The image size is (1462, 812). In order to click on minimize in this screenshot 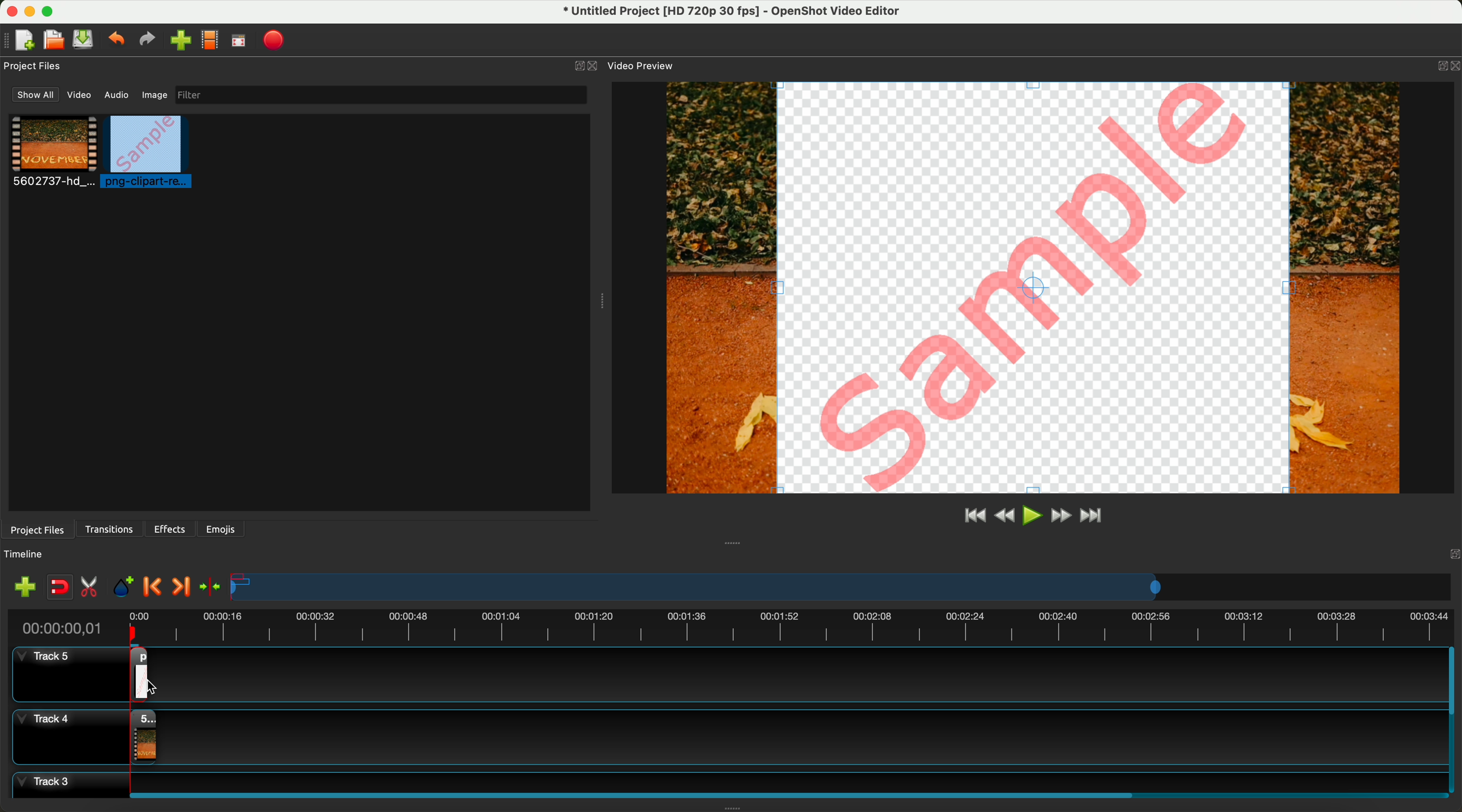, I will do `click(30, 14)`.